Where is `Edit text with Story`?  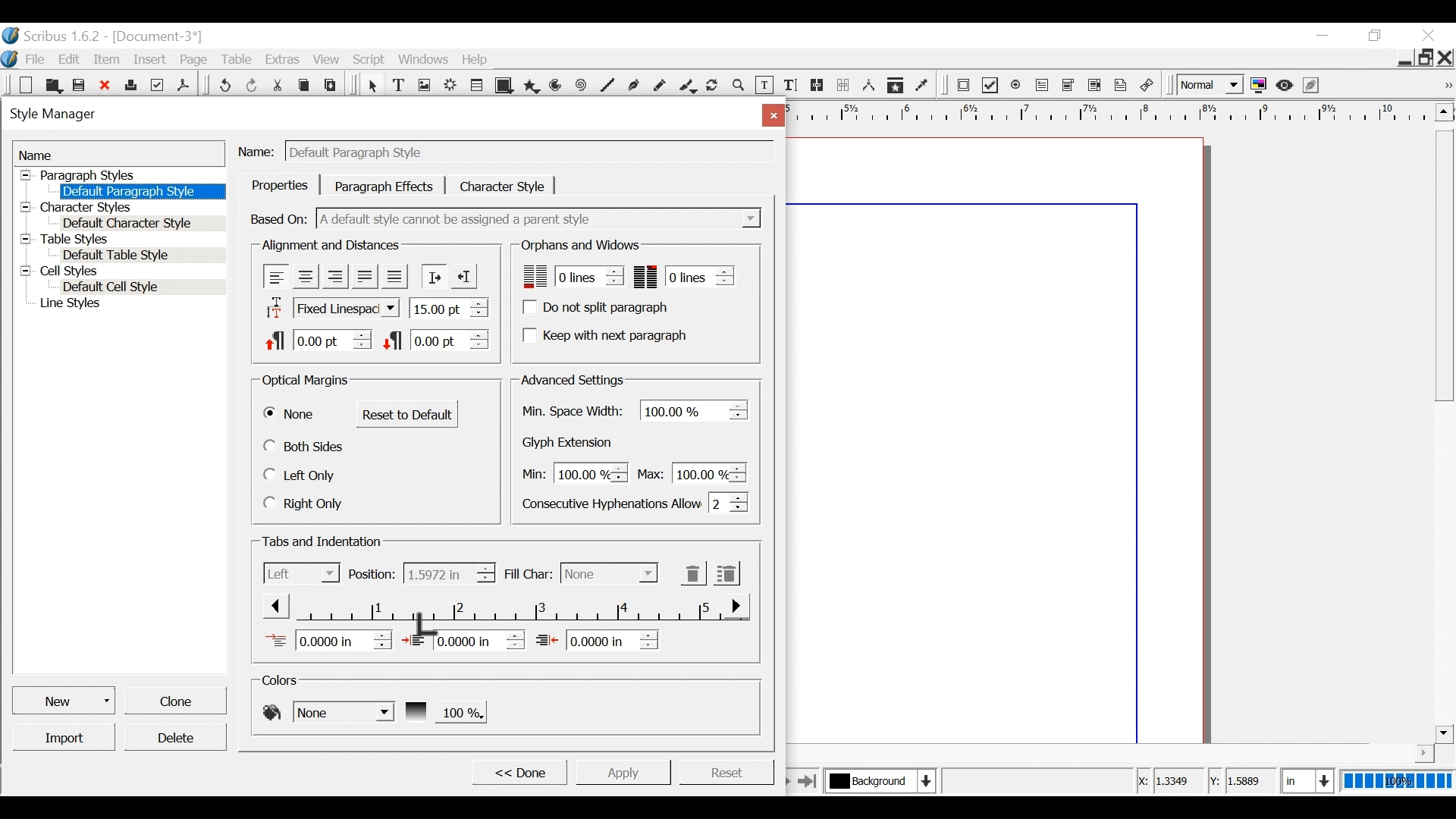 Edit text with Story is located at coordinates (790, 86).